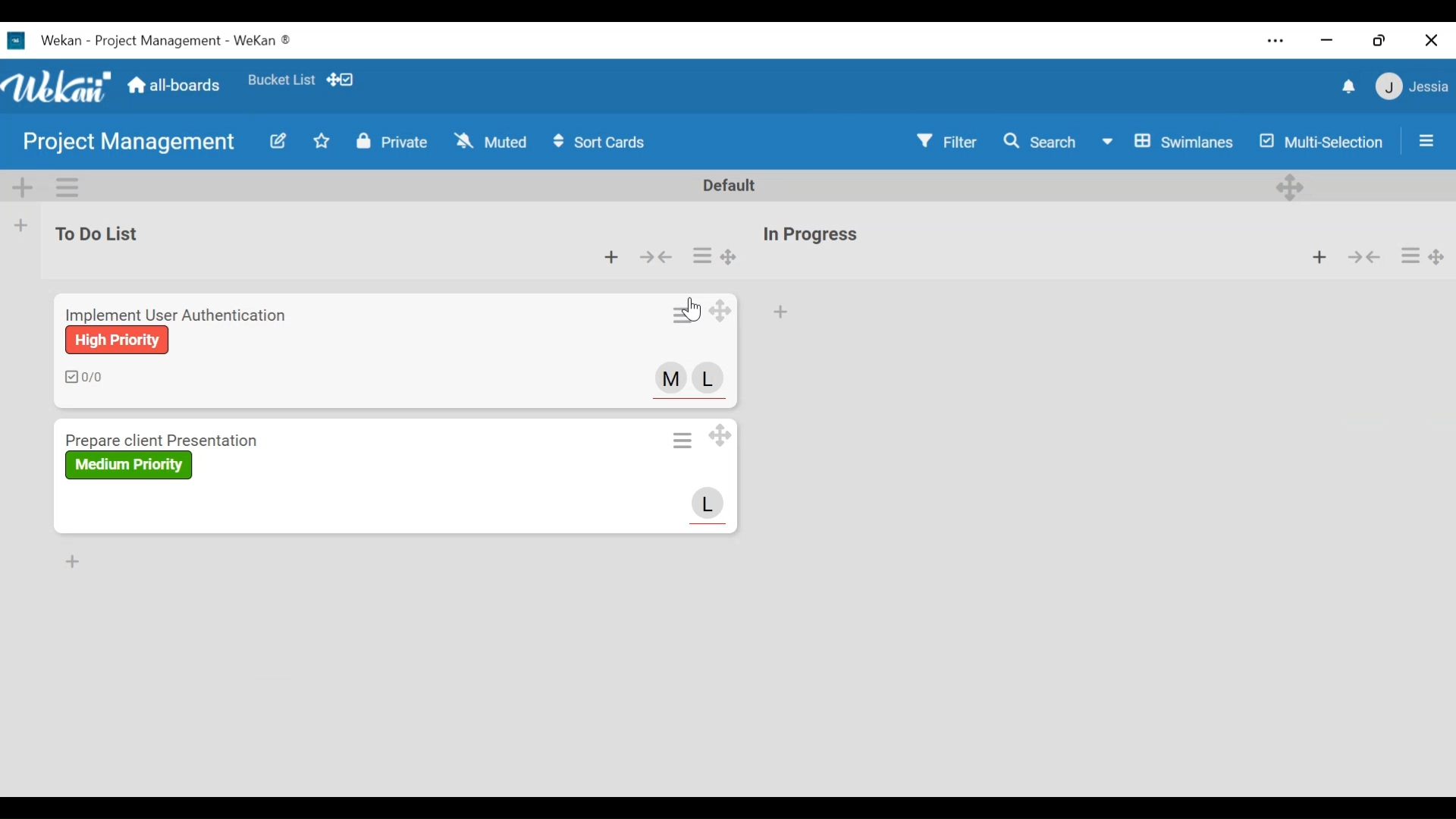 The width and height of the screenshot is (1456, 819). I want to click on Board Name, so click(126, 144).